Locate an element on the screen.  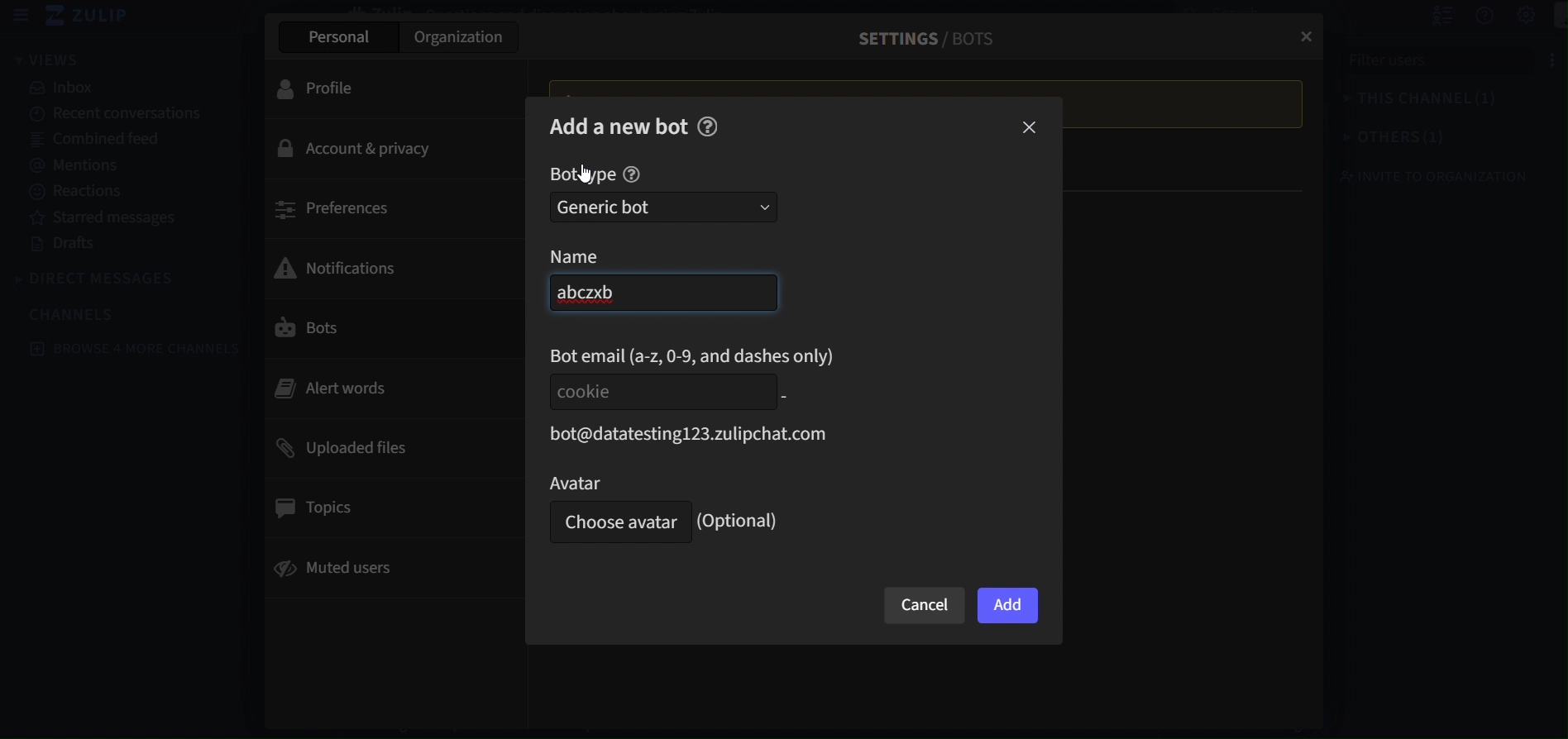
personal is located at coordinates (336, 37).